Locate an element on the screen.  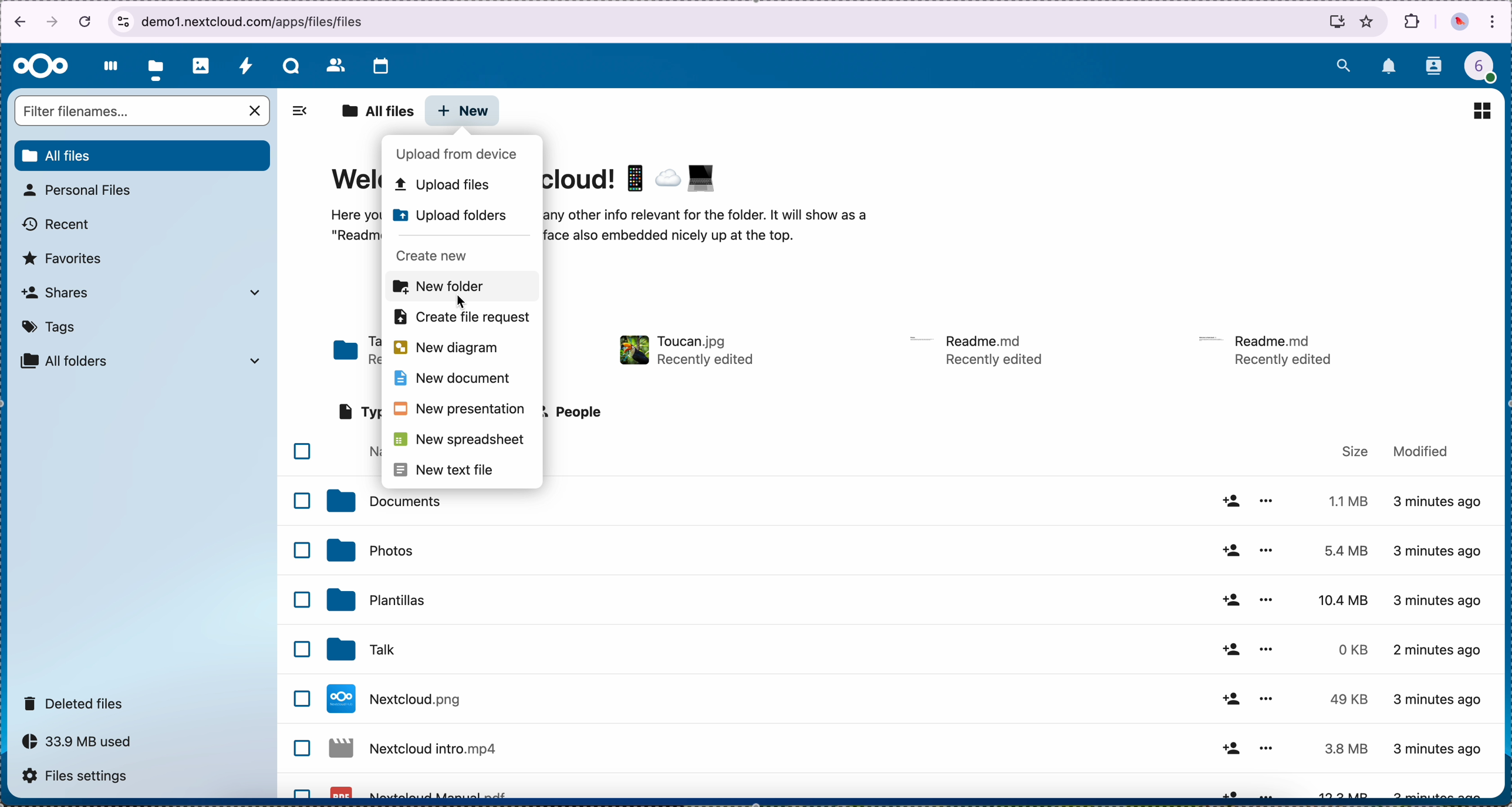
profile picture is located at coordinates (1460, 23).